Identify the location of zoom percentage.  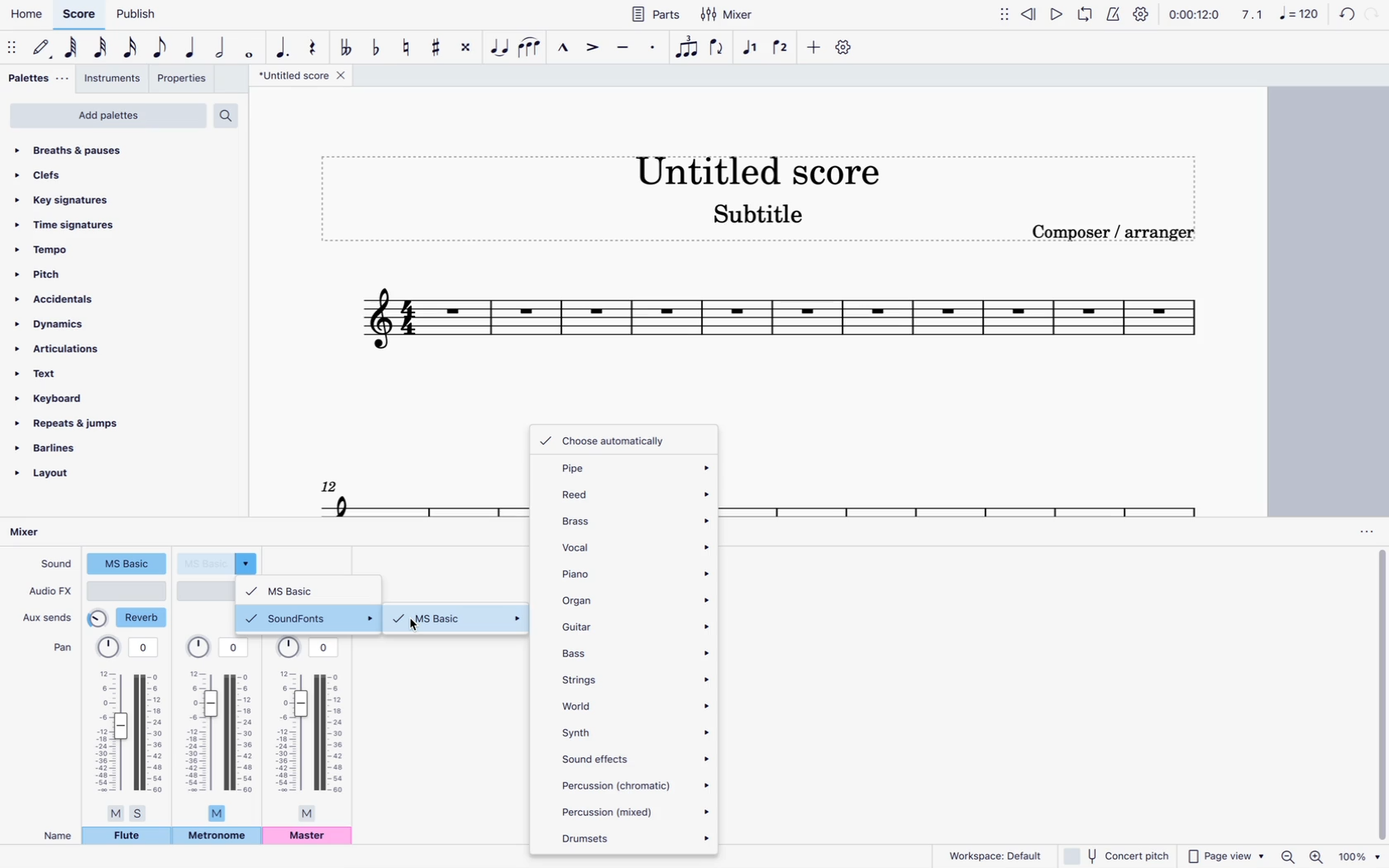
(1360, 856).